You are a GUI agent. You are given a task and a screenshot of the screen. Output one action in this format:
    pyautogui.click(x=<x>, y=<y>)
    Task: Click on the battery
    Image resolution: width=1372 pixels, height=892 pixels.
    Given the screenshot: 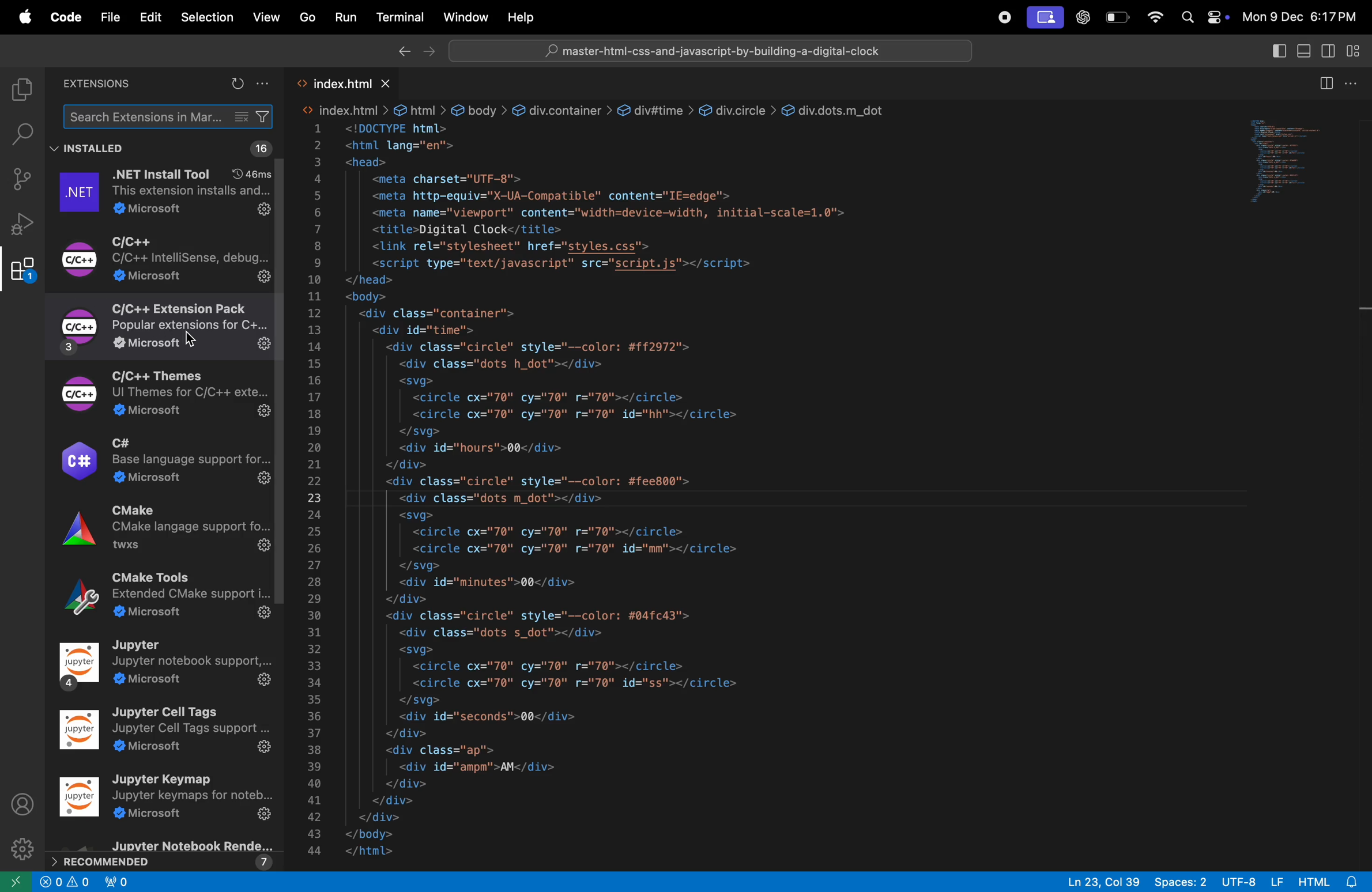 What is the action you would take?
    pyautogui.click(x=1117, y=17)
    